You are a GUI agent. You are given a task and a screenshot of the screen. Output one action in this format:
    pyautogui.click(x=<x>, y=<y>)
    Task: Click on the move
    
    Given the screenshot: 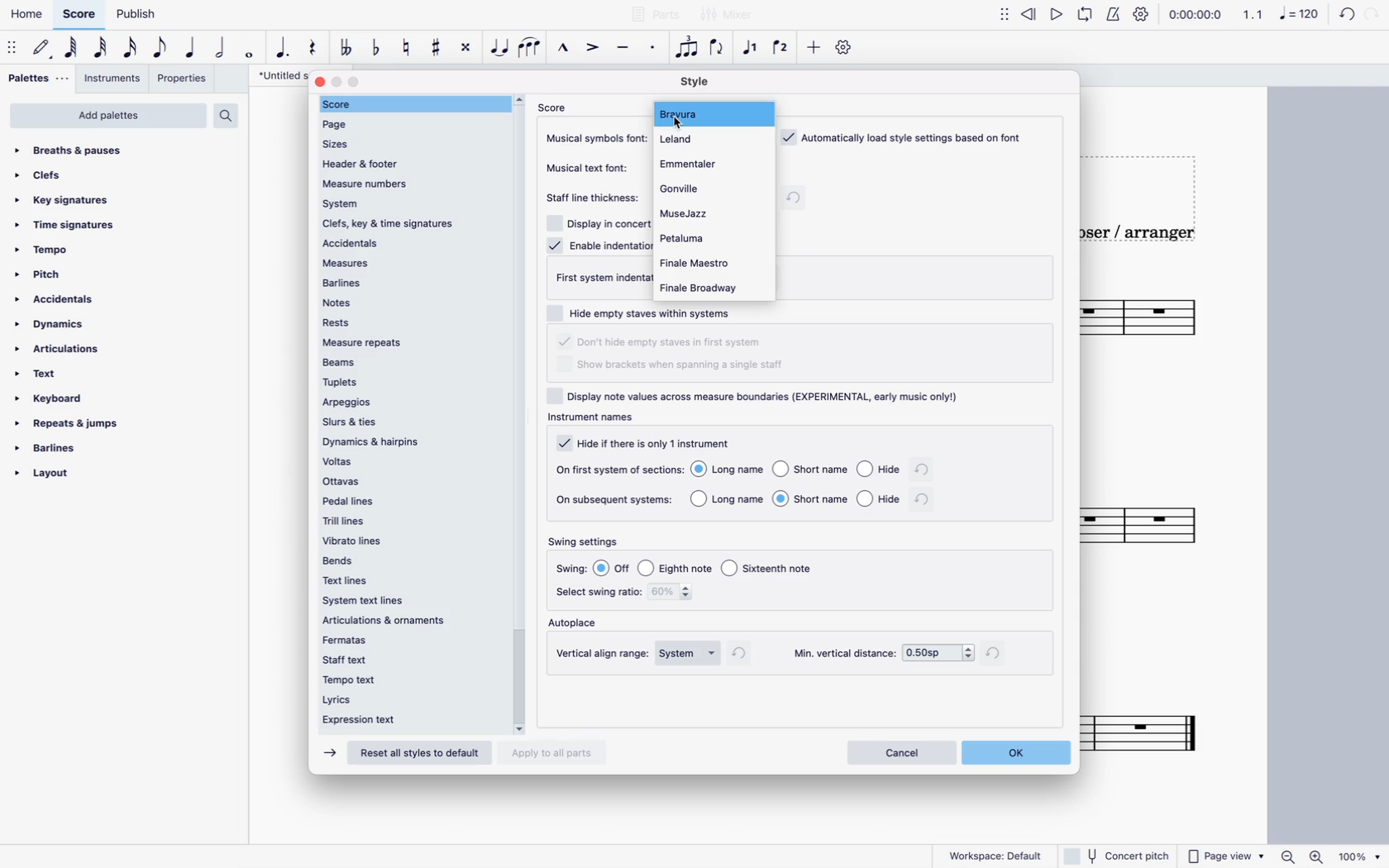 What is the action you would take?
    pyautogui.click(x=12, y=47)
    